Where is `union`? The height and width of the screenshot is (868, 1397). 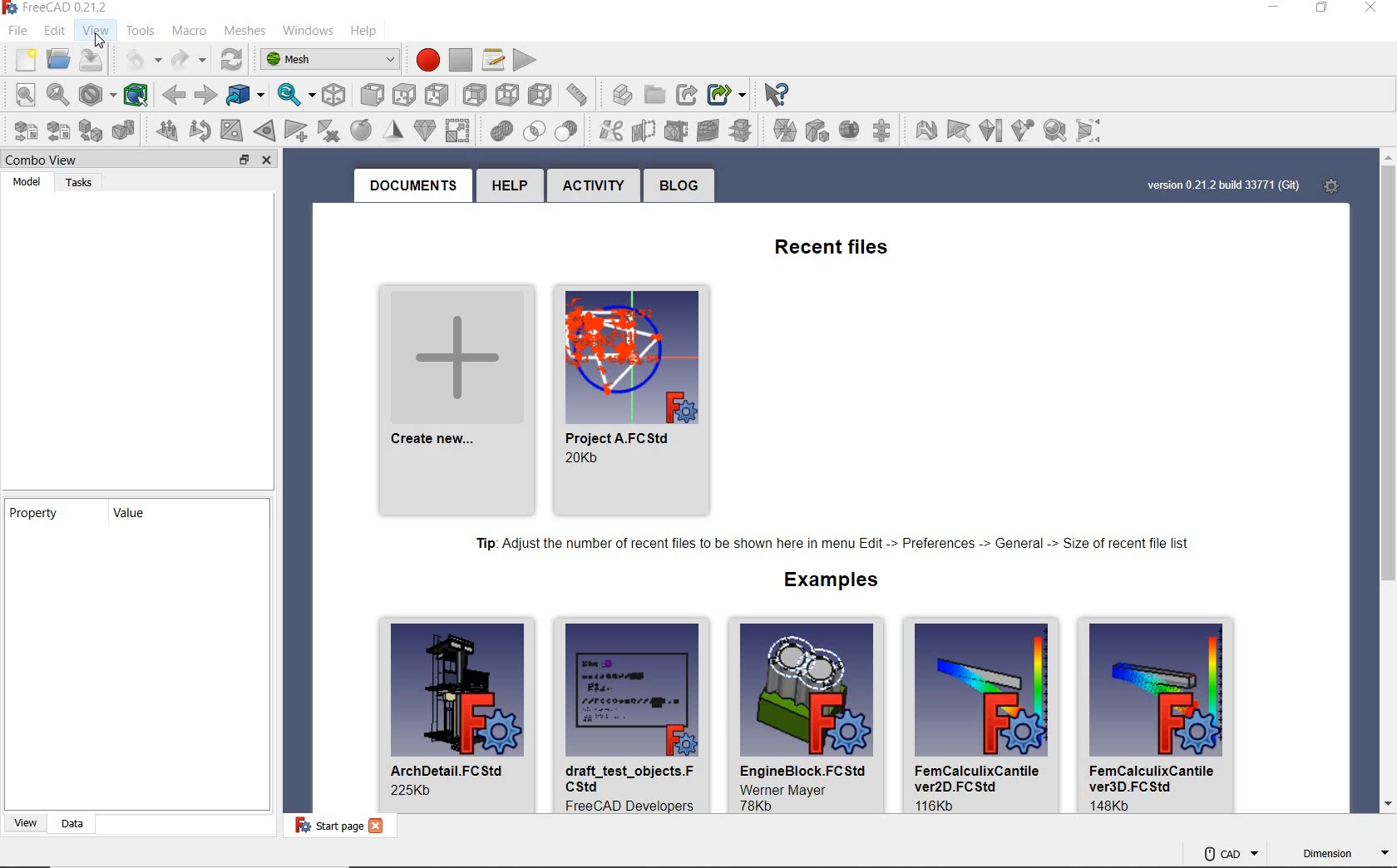 union is located at coordinates (460, 130).